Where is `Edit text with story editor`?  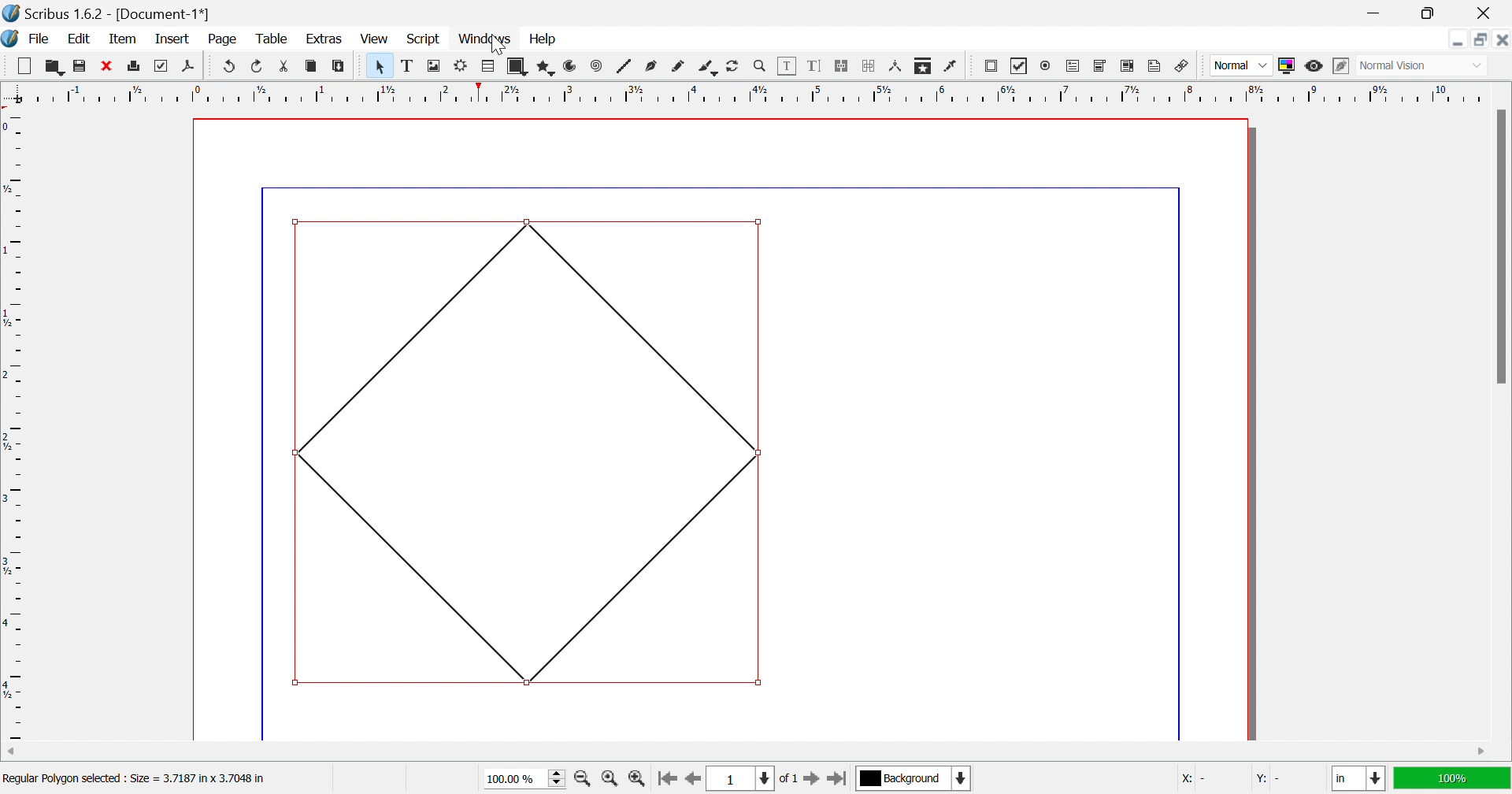 Edit text with story editor is located at coordinates (813, 65).